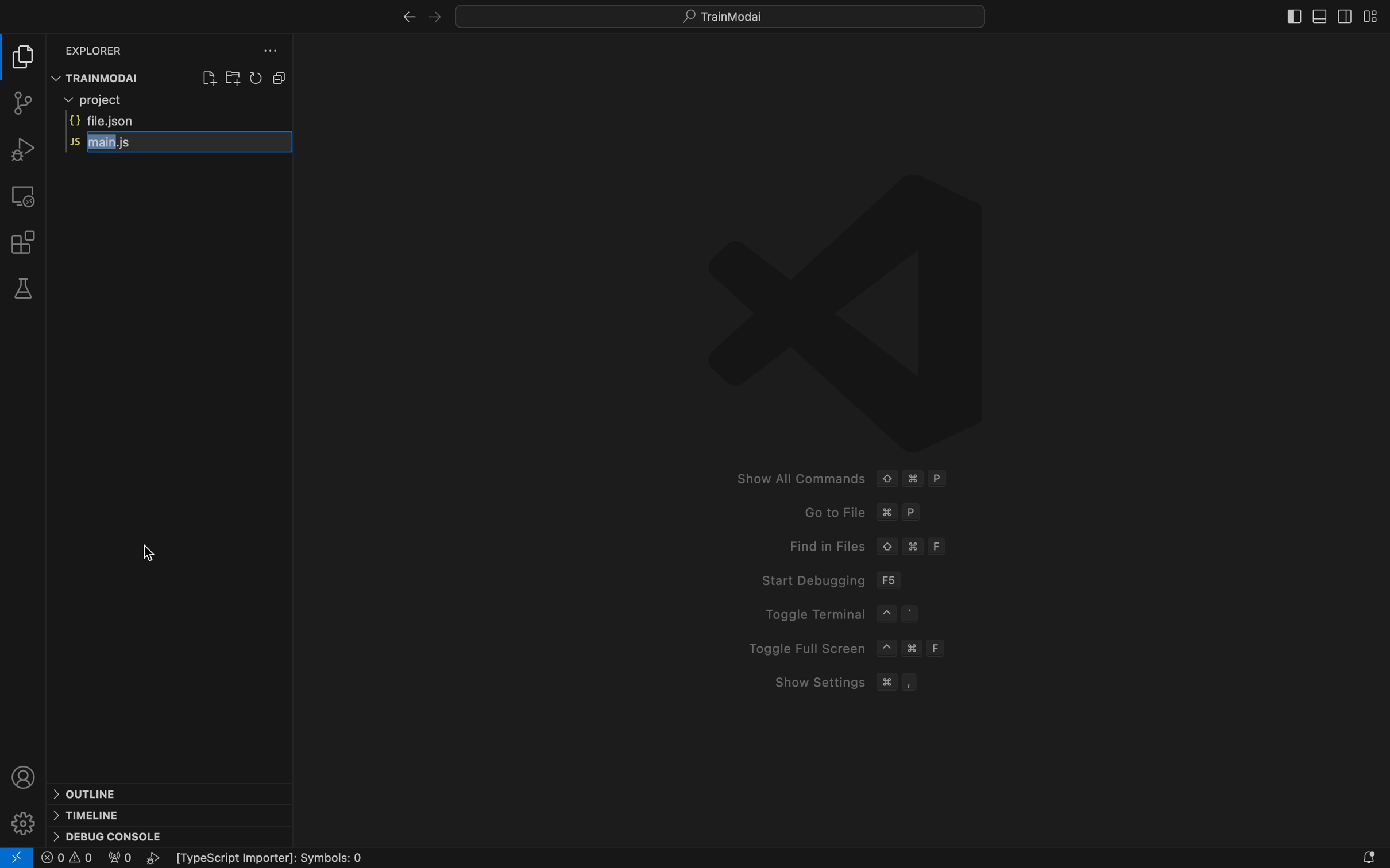 The width and height of the screenshot is (1390, 868). Describe the element at coordinates (174, 102) in the screenshot. I see `Project` at that location.